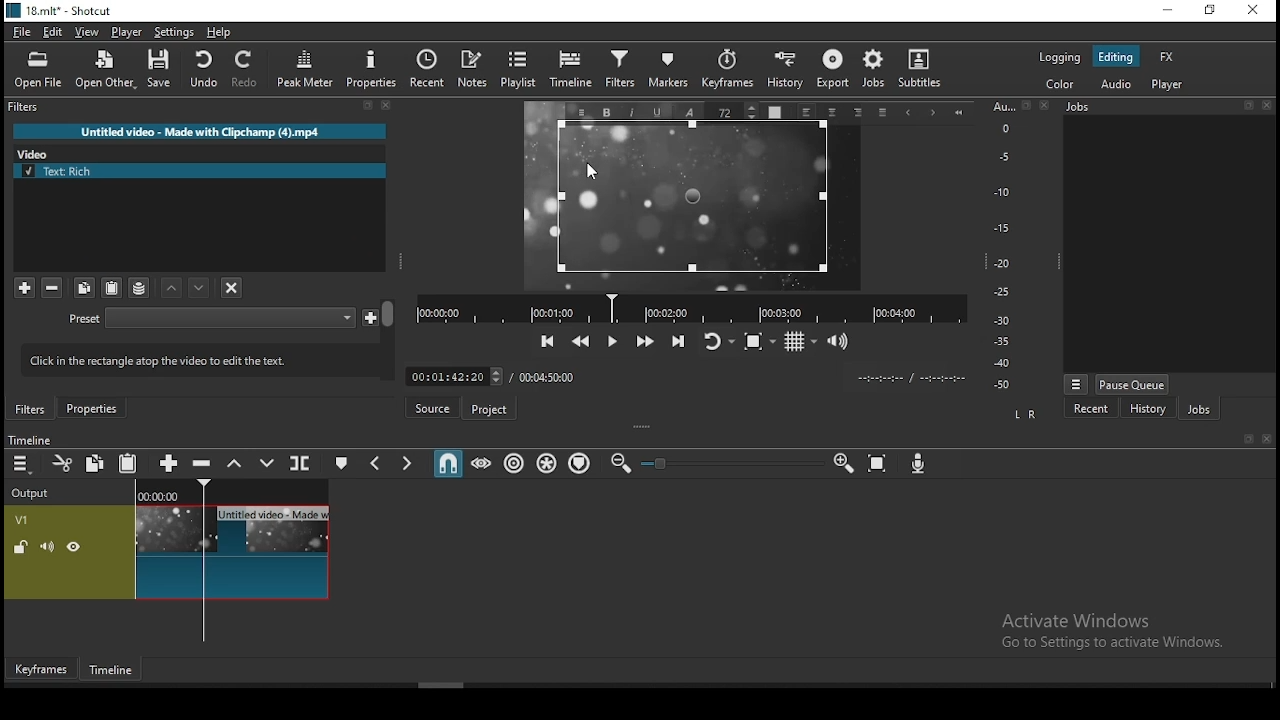 This screenshot has width=1280, height=720. I want to click on toggle zoom, so click(760, 341).